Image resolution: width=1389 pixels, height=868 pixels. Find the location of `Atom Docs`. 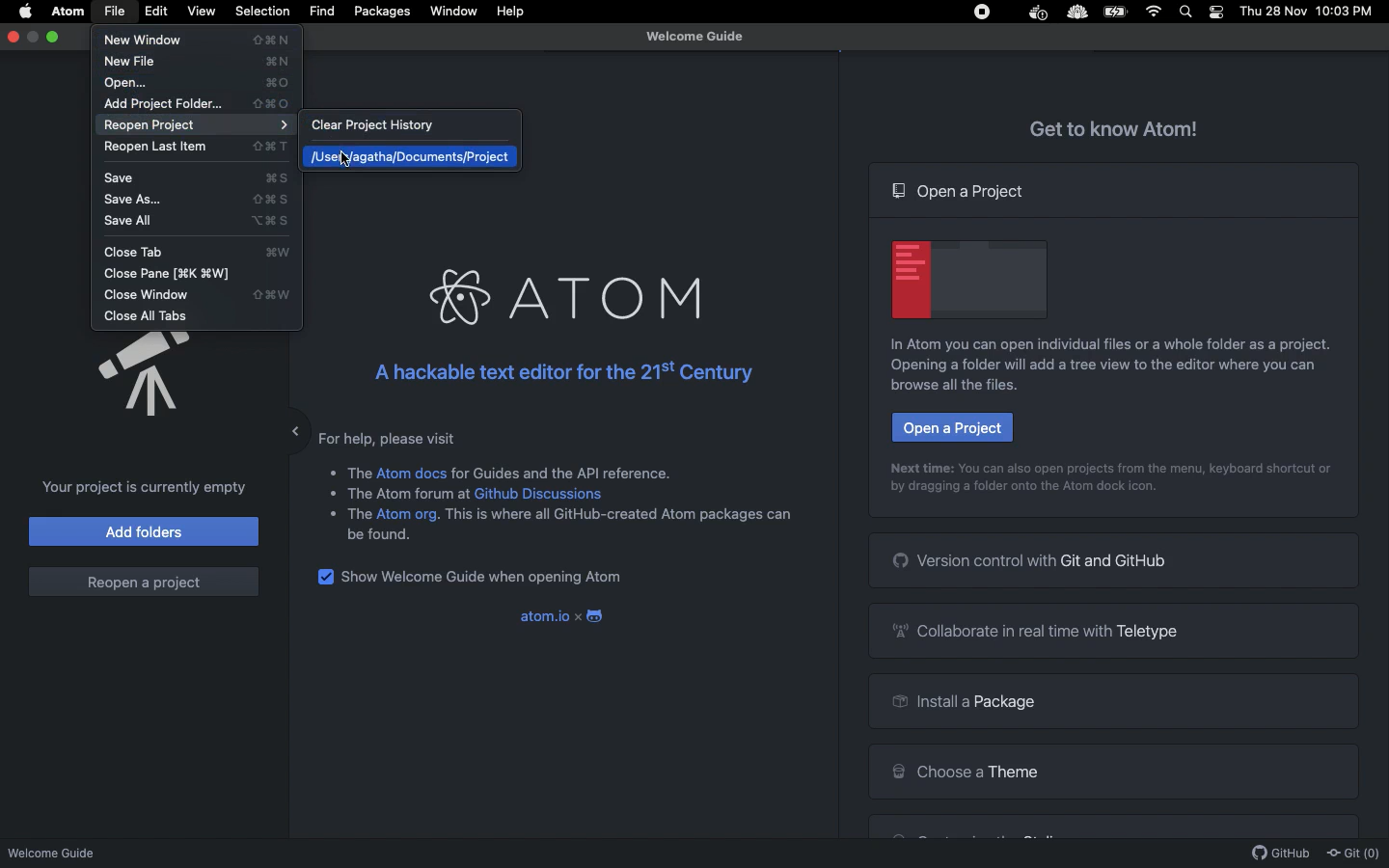

Atom Docs is located at coordinates (412, 472).